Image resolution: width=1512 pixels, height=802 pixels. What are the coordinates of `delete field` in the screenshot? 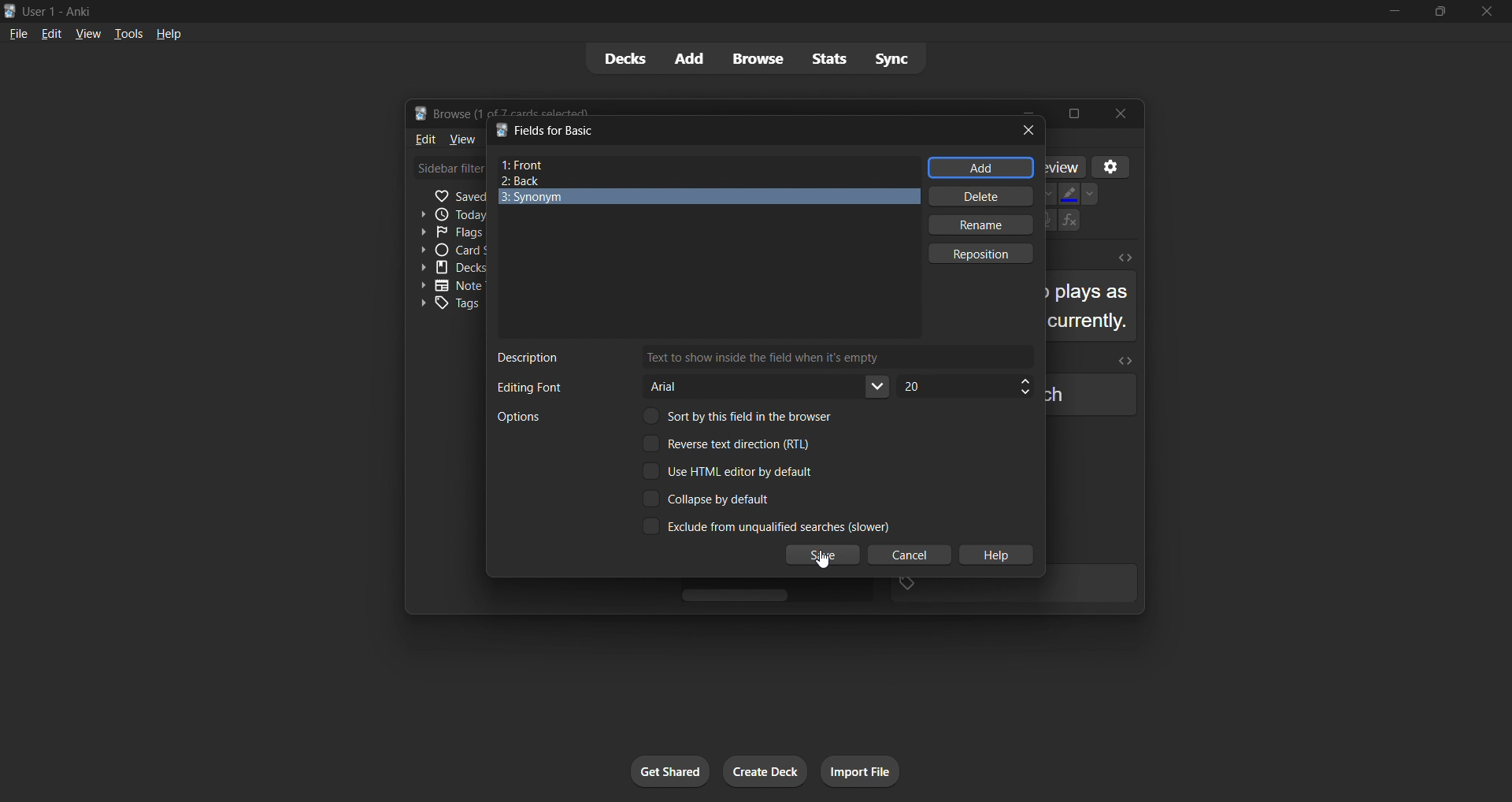 It's located at (977, 198).